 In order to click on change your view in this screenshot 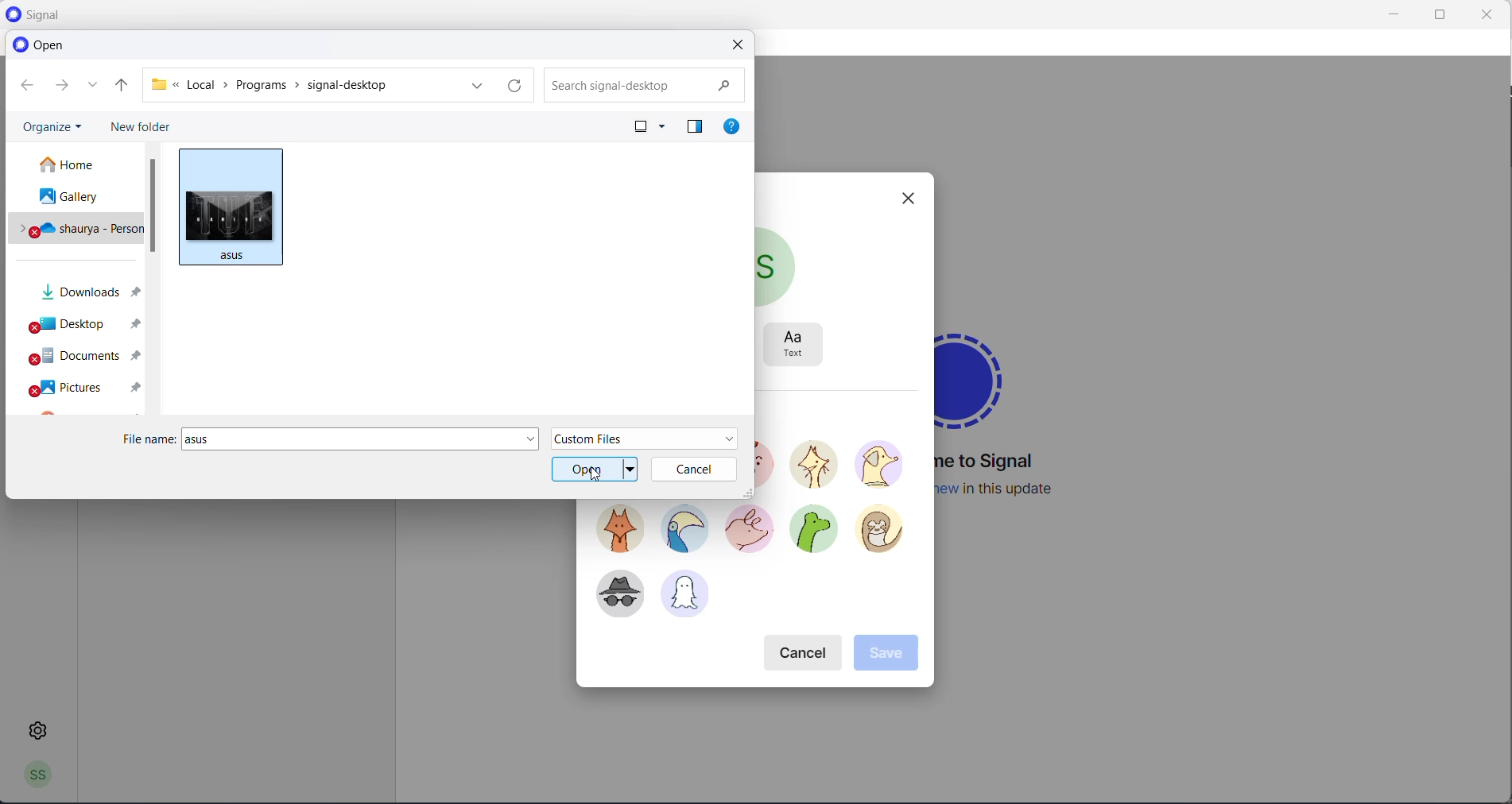, I will do `click(639, 126)`.